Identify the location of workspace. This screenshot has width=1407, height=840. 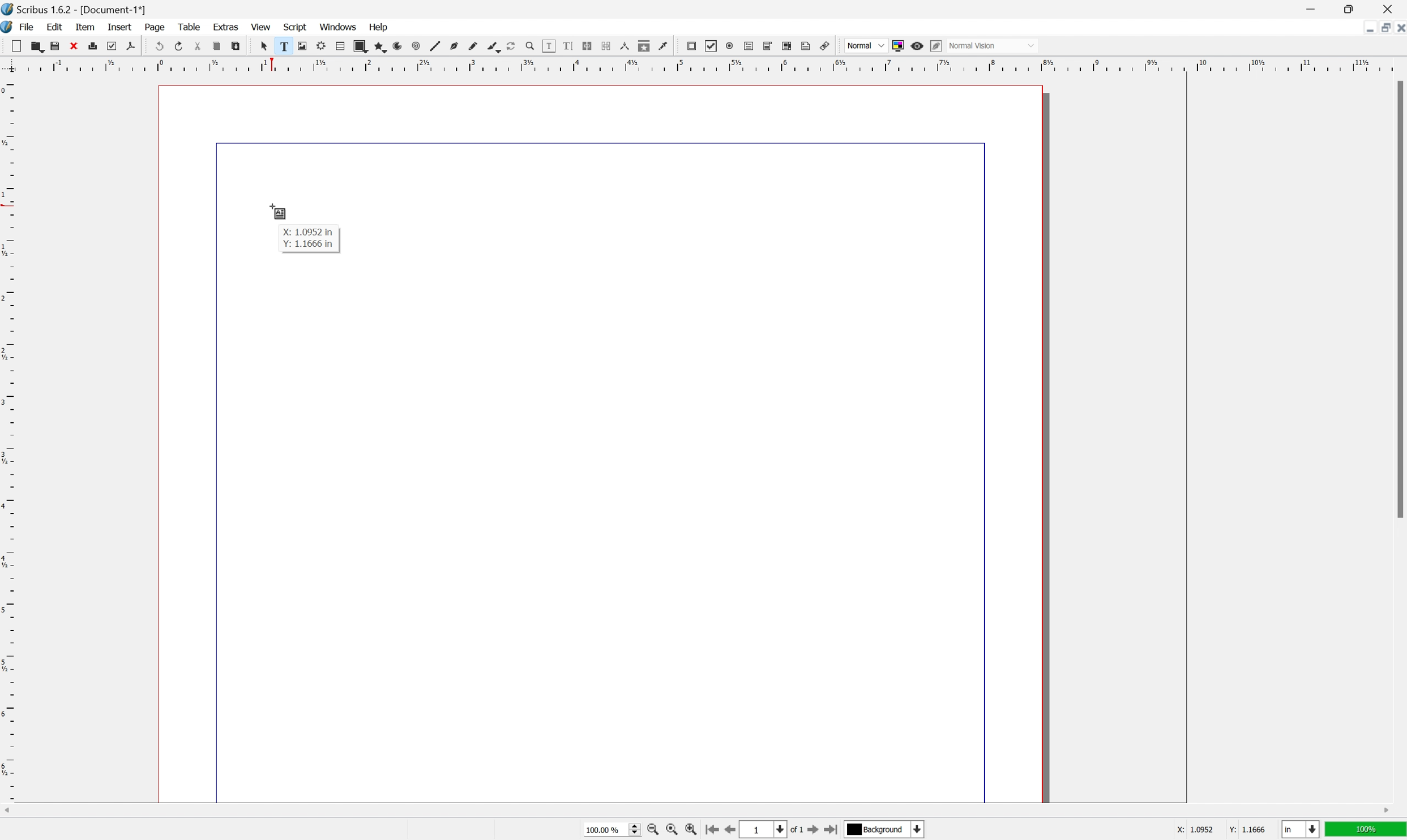
(604, 444).